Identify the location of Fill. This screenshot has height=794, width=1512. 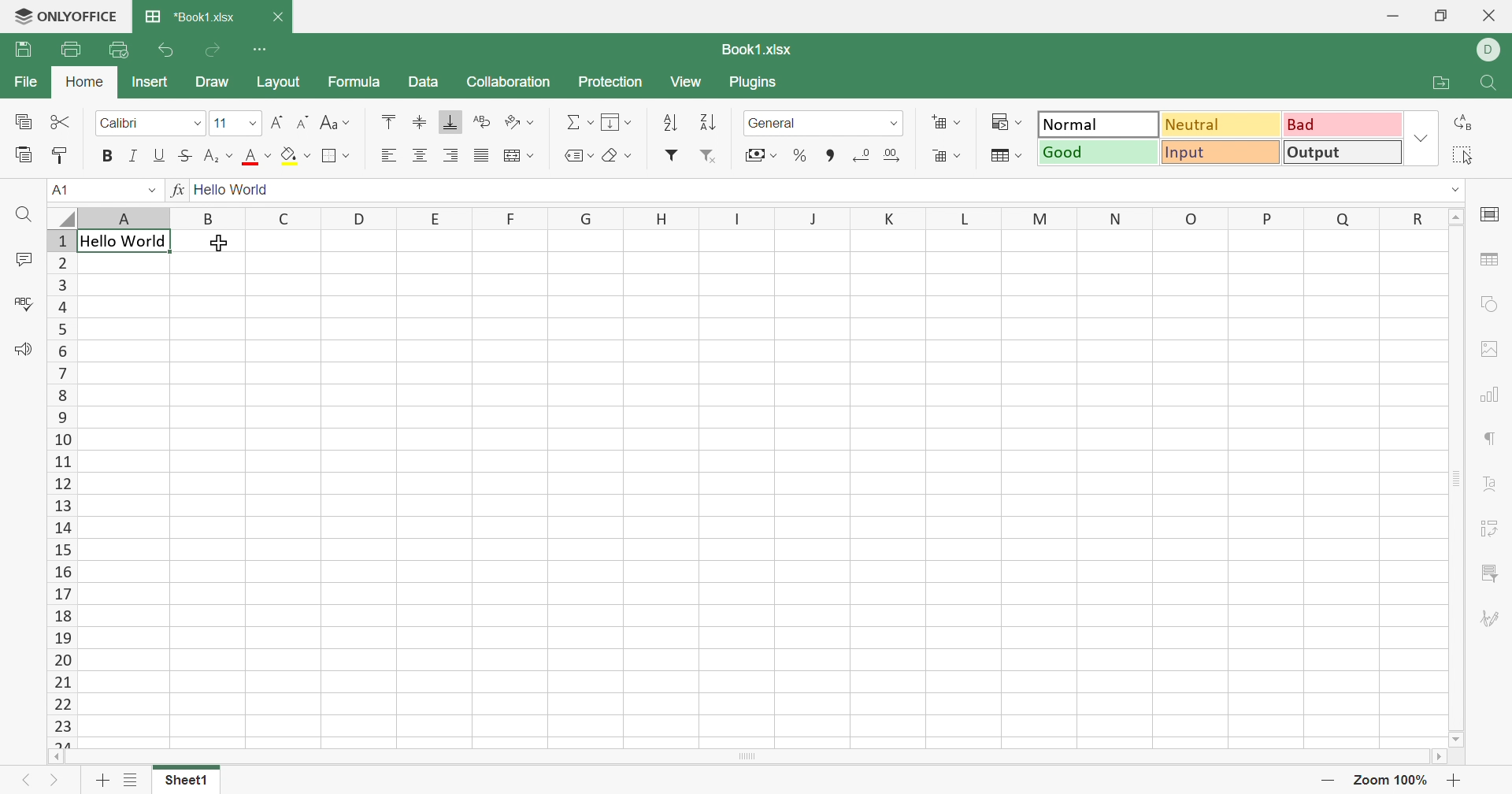
(615, 121).